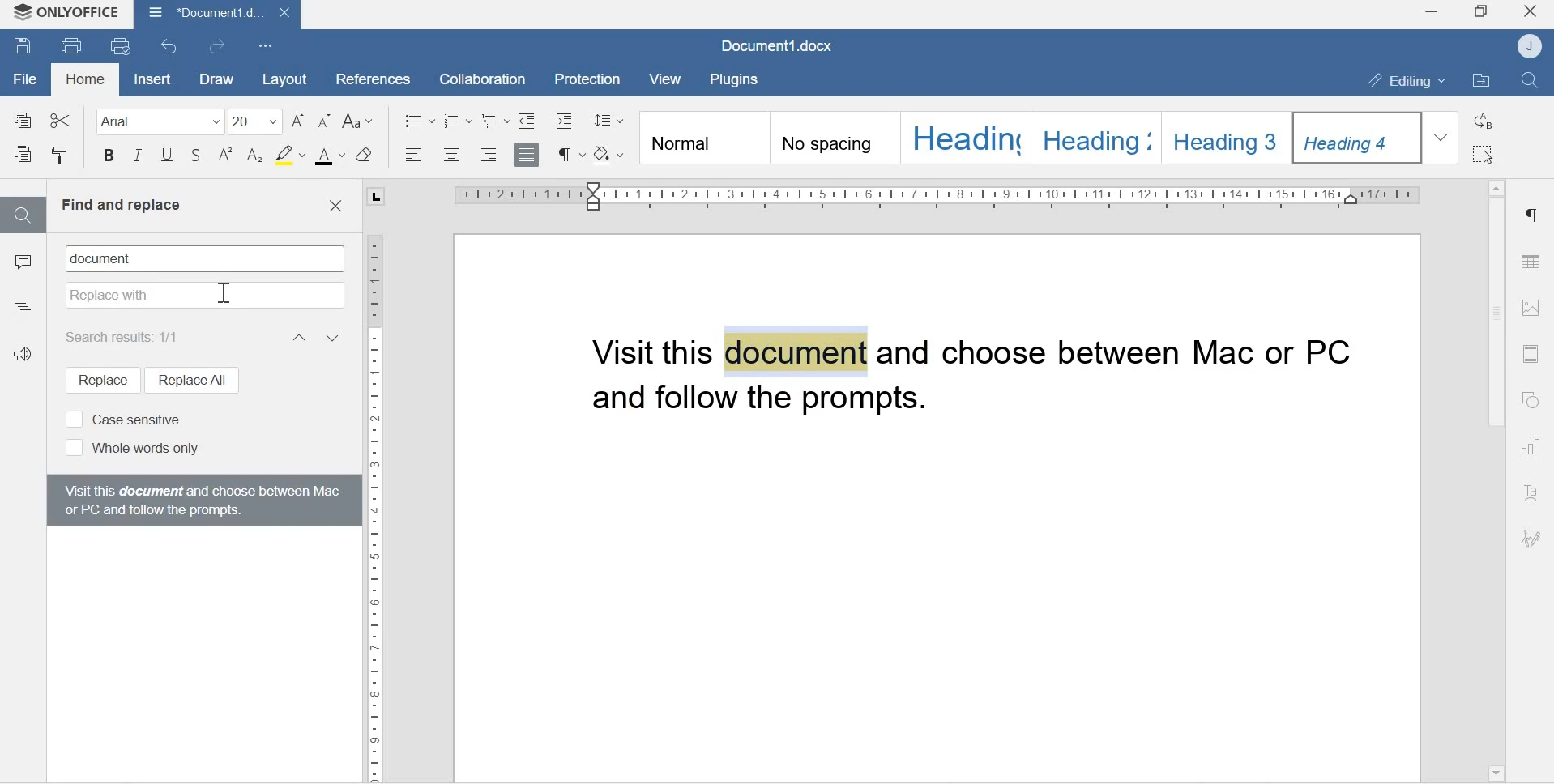 This screenshot has width=1554, height=784. What do you see at coordinates (96, 380) in the screenshot?
I see `Replace` at bounding box center [96, 380].